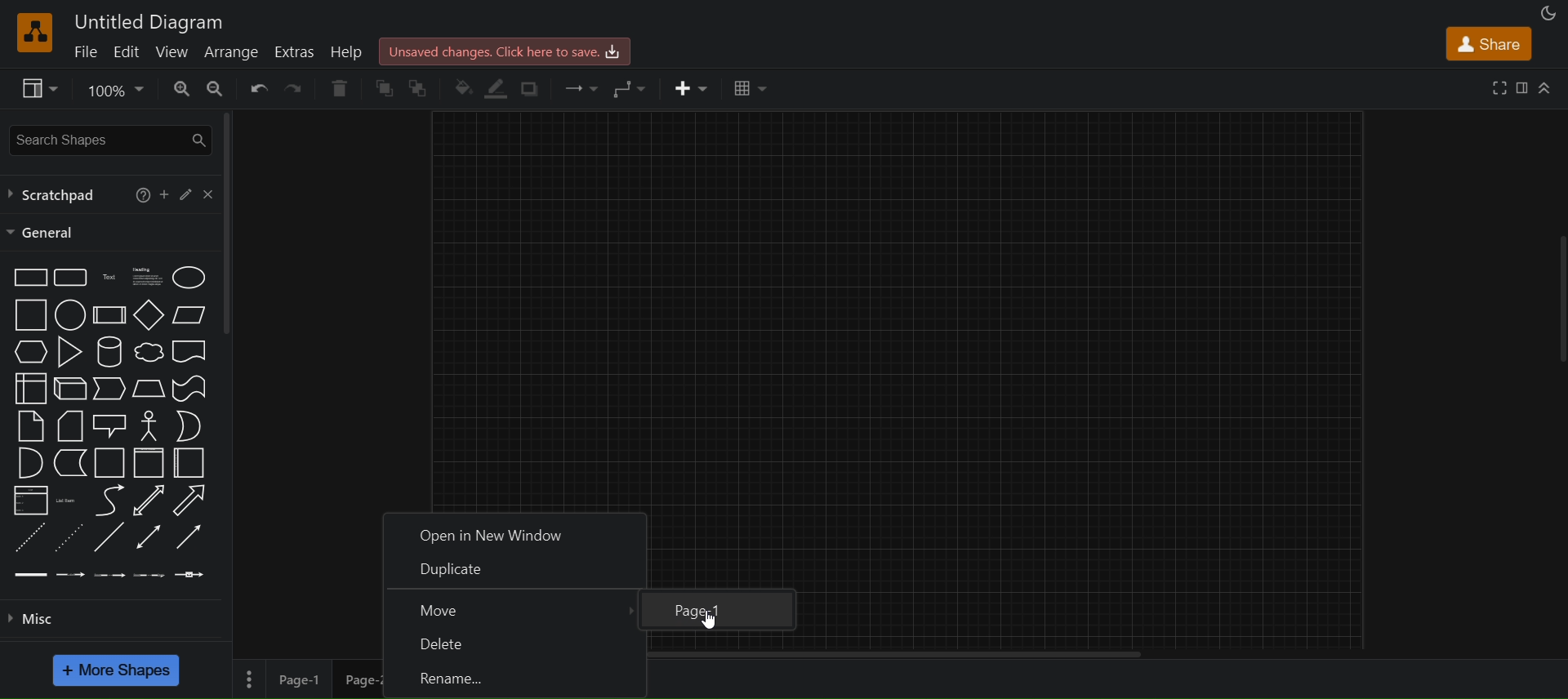 The image size is (1568, 699). I want to click on vertical scroll bar, so click(226, 224).